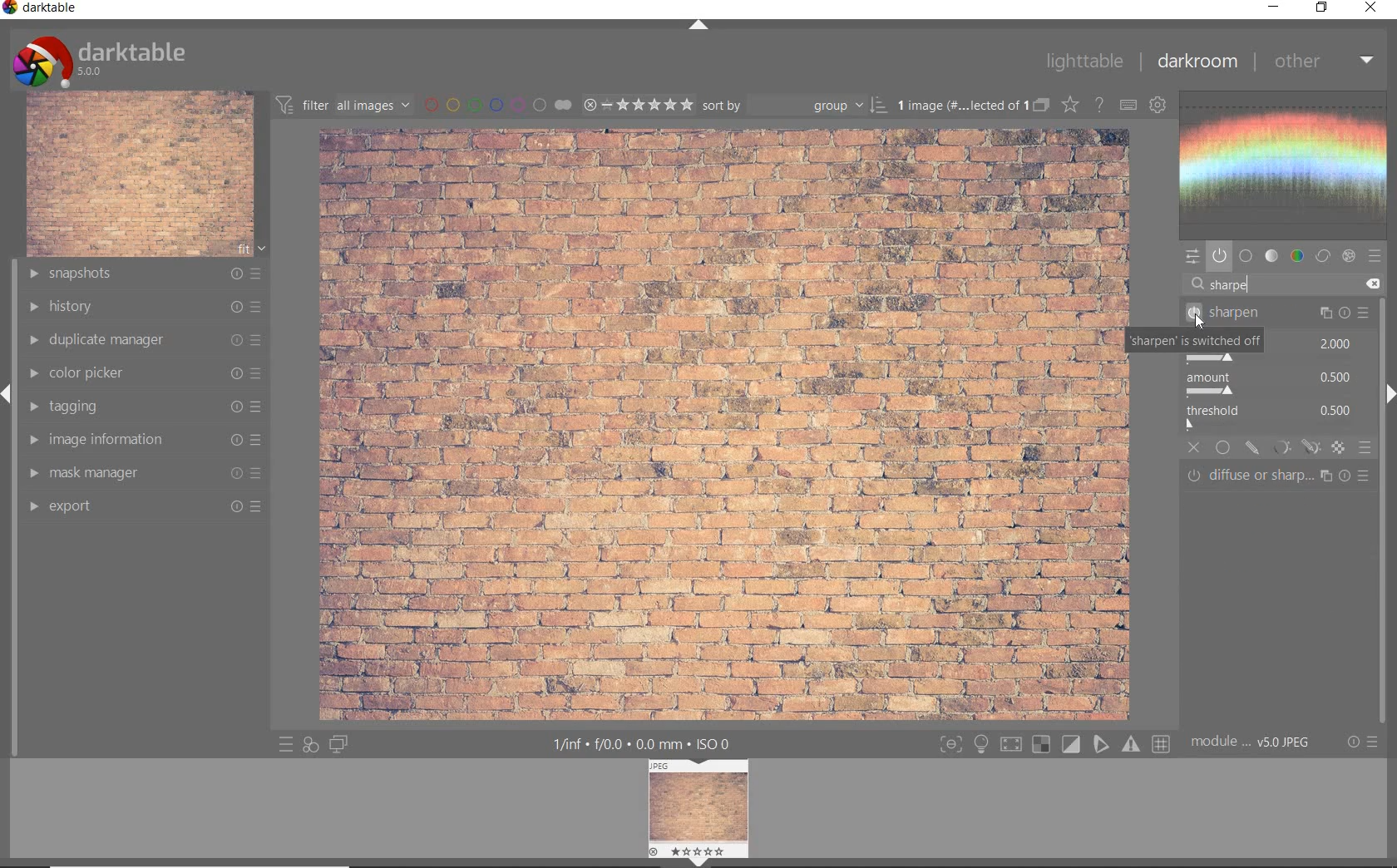 The image size is (1397, 868). Describe the element at coordinates (343, 103) in the screenshot. I see `filter all images` at that location.